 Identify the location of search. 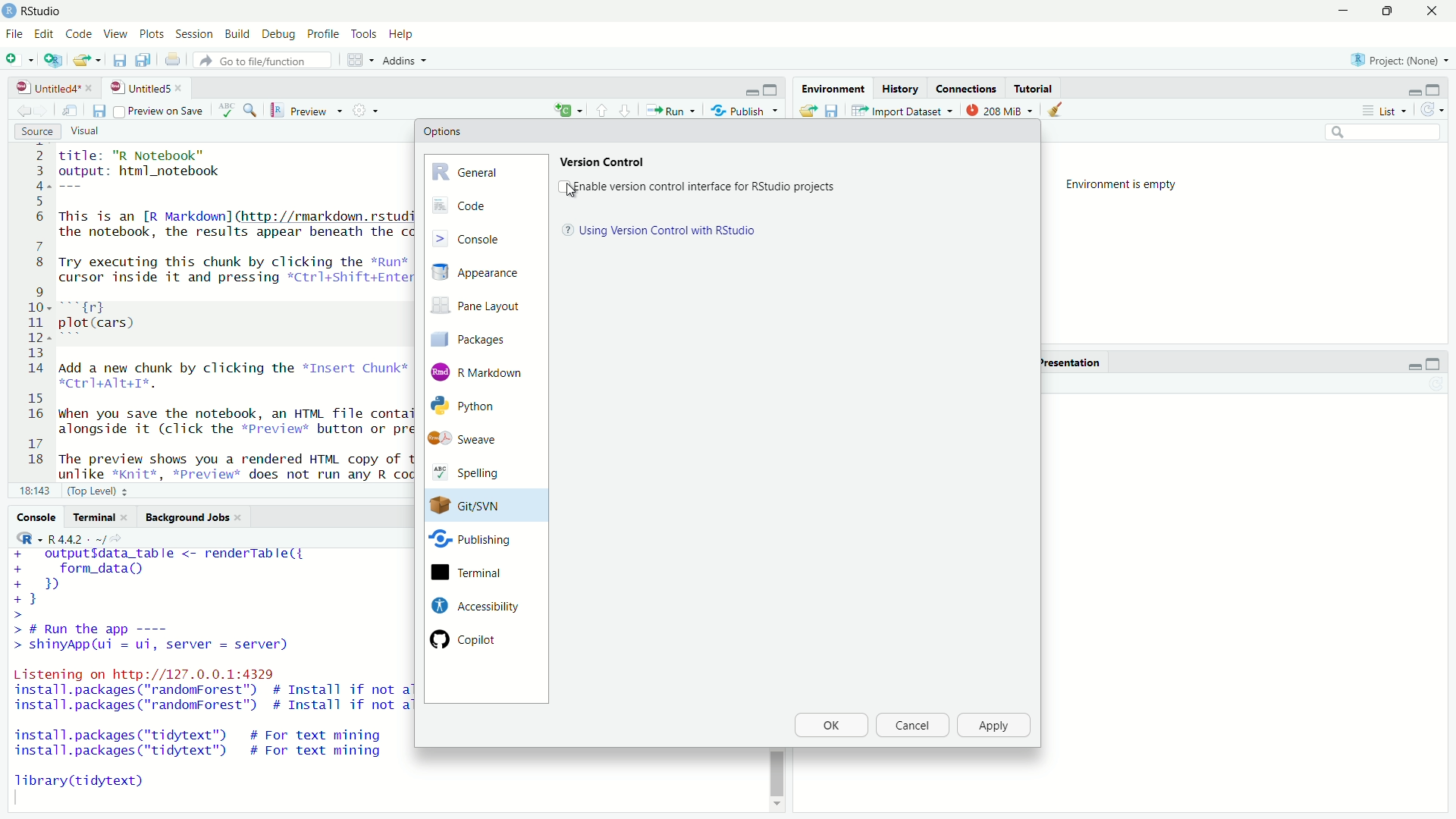
(1385, 133).